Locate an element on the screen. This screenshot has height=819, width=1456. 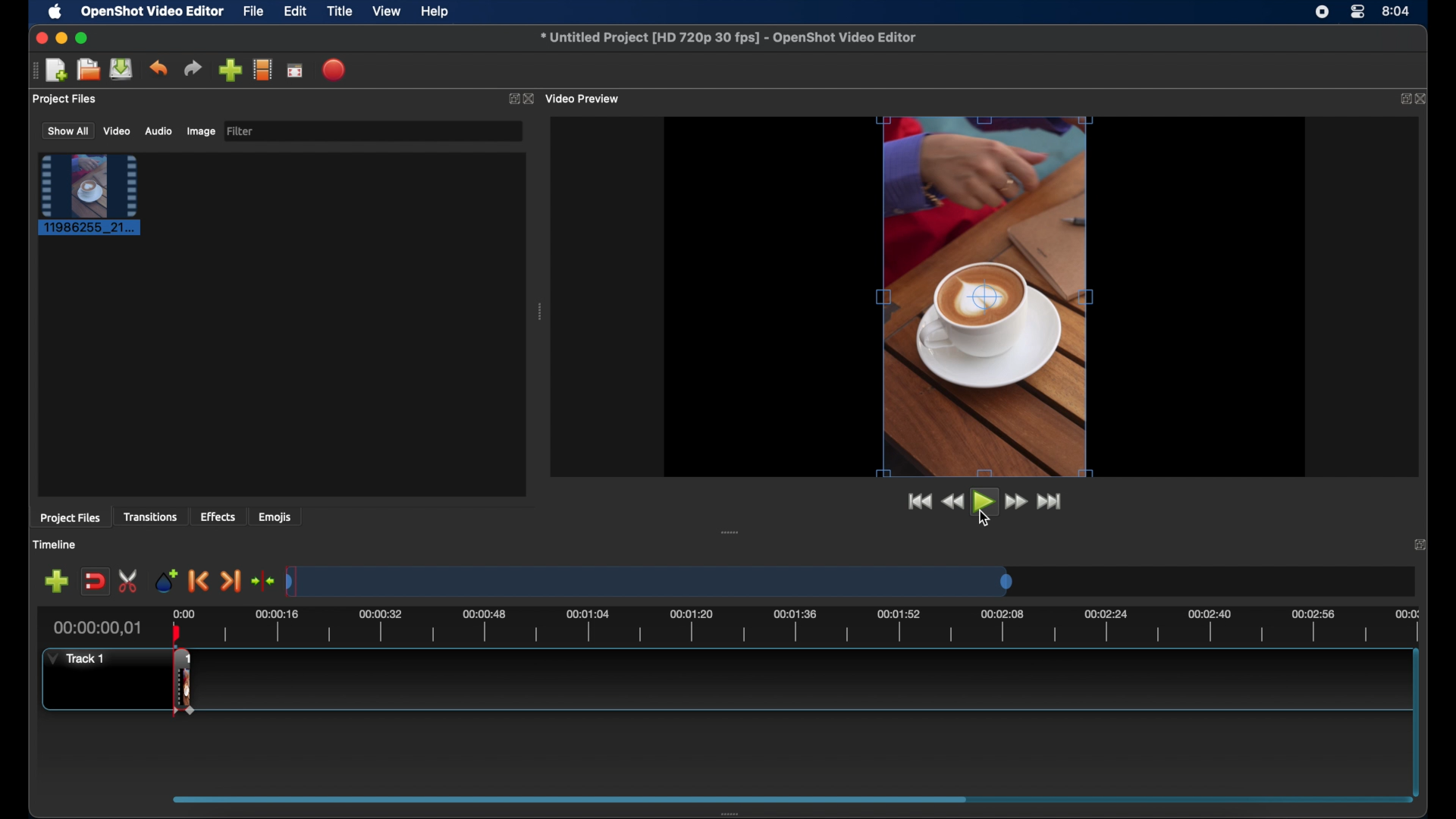
previous marker is located at coordinates (199, 582).